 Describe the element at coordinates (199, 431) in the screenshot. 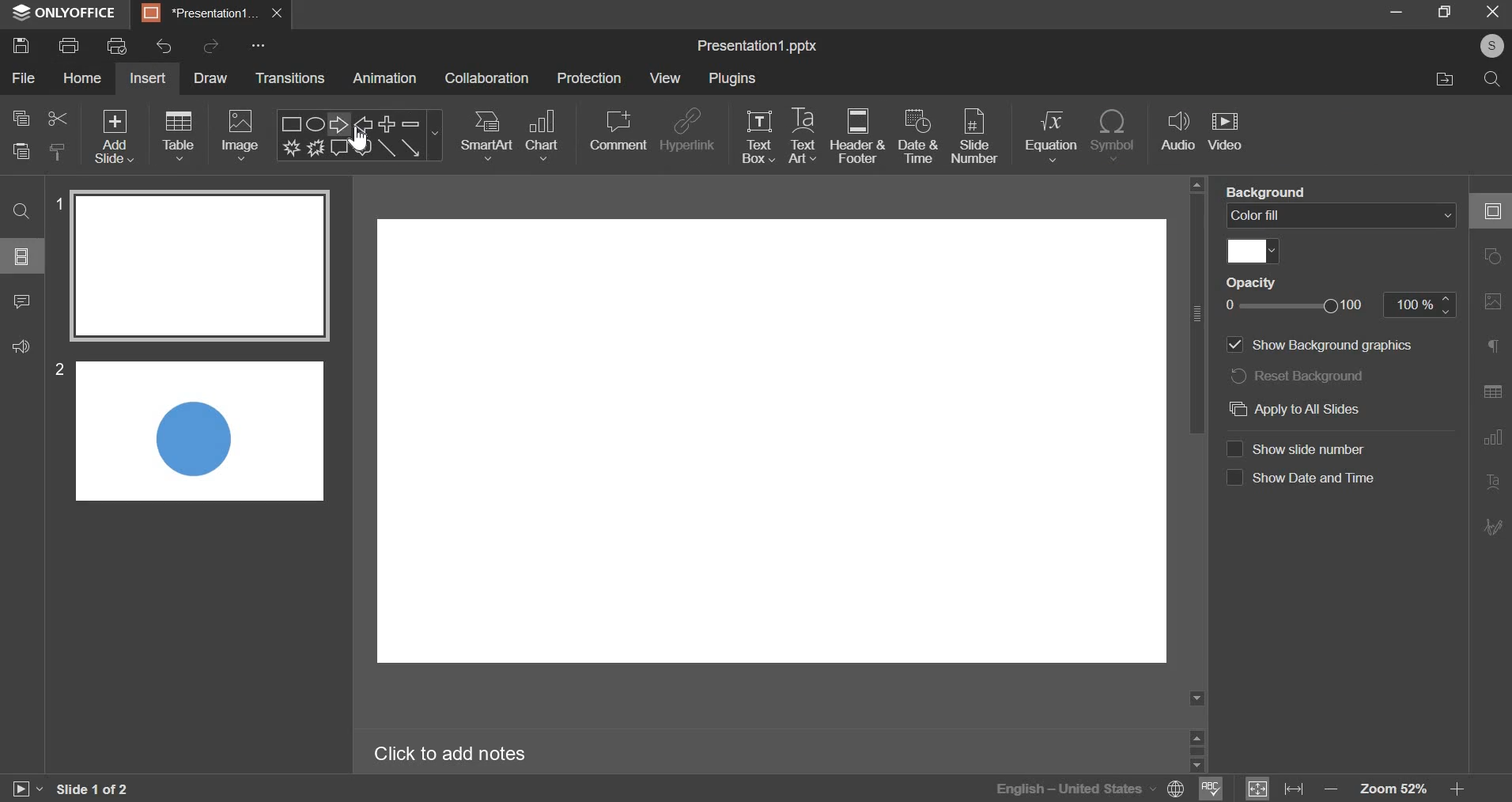

I see `slide 2 preview` at that location.